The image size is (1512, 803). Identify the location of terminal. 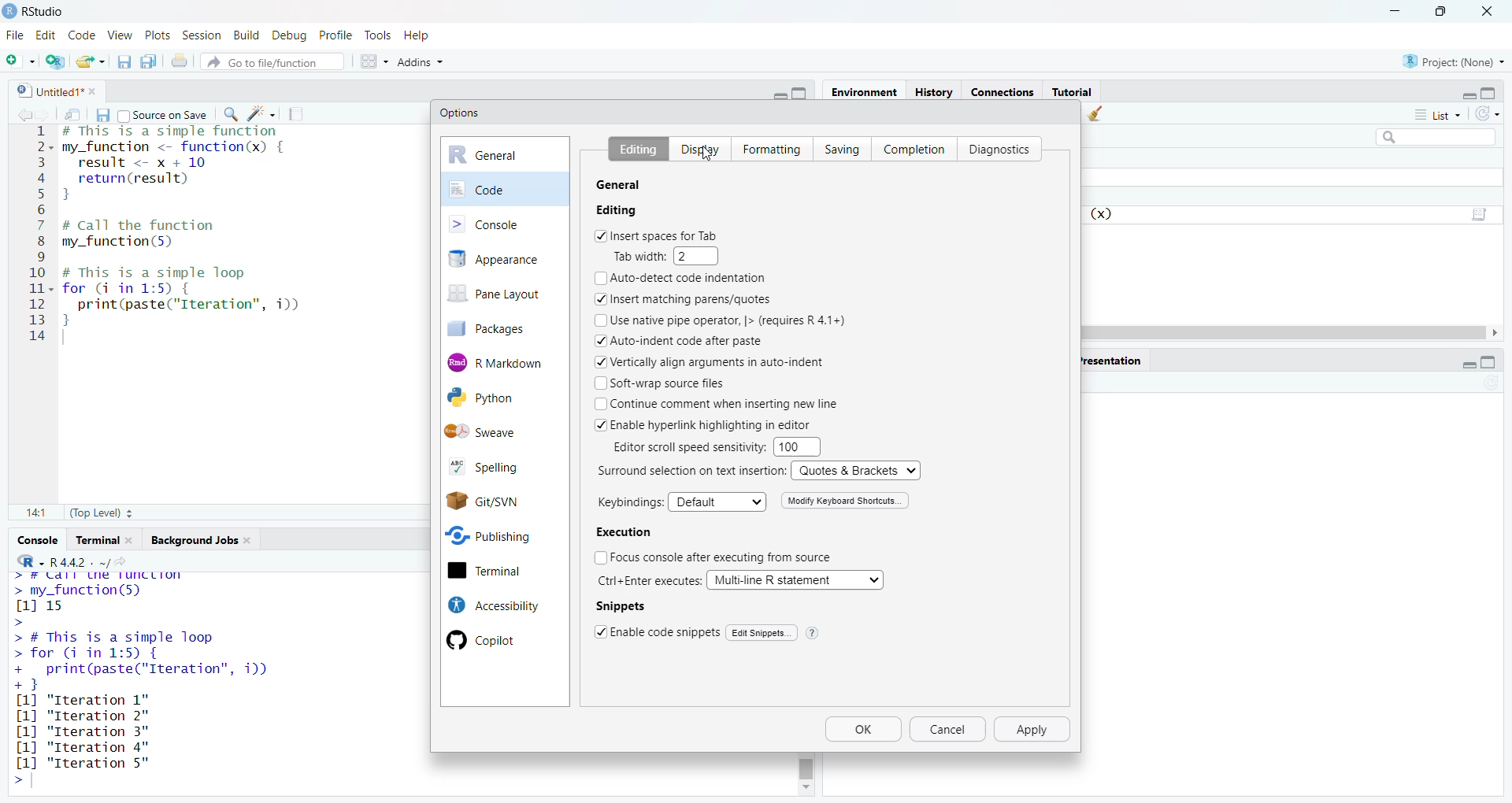
(495, 572).